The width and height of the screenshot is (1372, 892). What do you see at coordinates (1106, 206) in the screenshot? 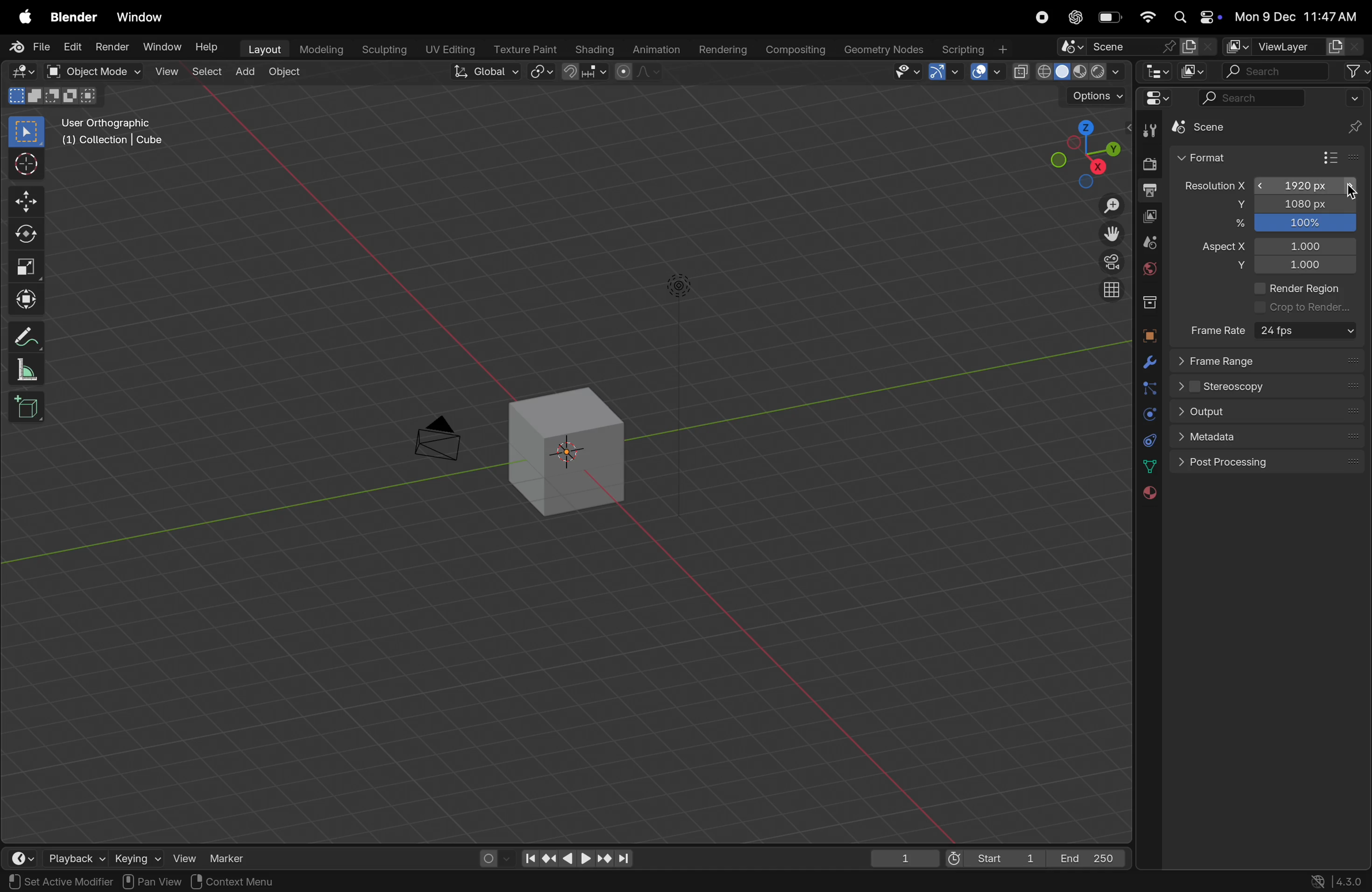
I see `zoom in out` at bounding box center [1106, 206].